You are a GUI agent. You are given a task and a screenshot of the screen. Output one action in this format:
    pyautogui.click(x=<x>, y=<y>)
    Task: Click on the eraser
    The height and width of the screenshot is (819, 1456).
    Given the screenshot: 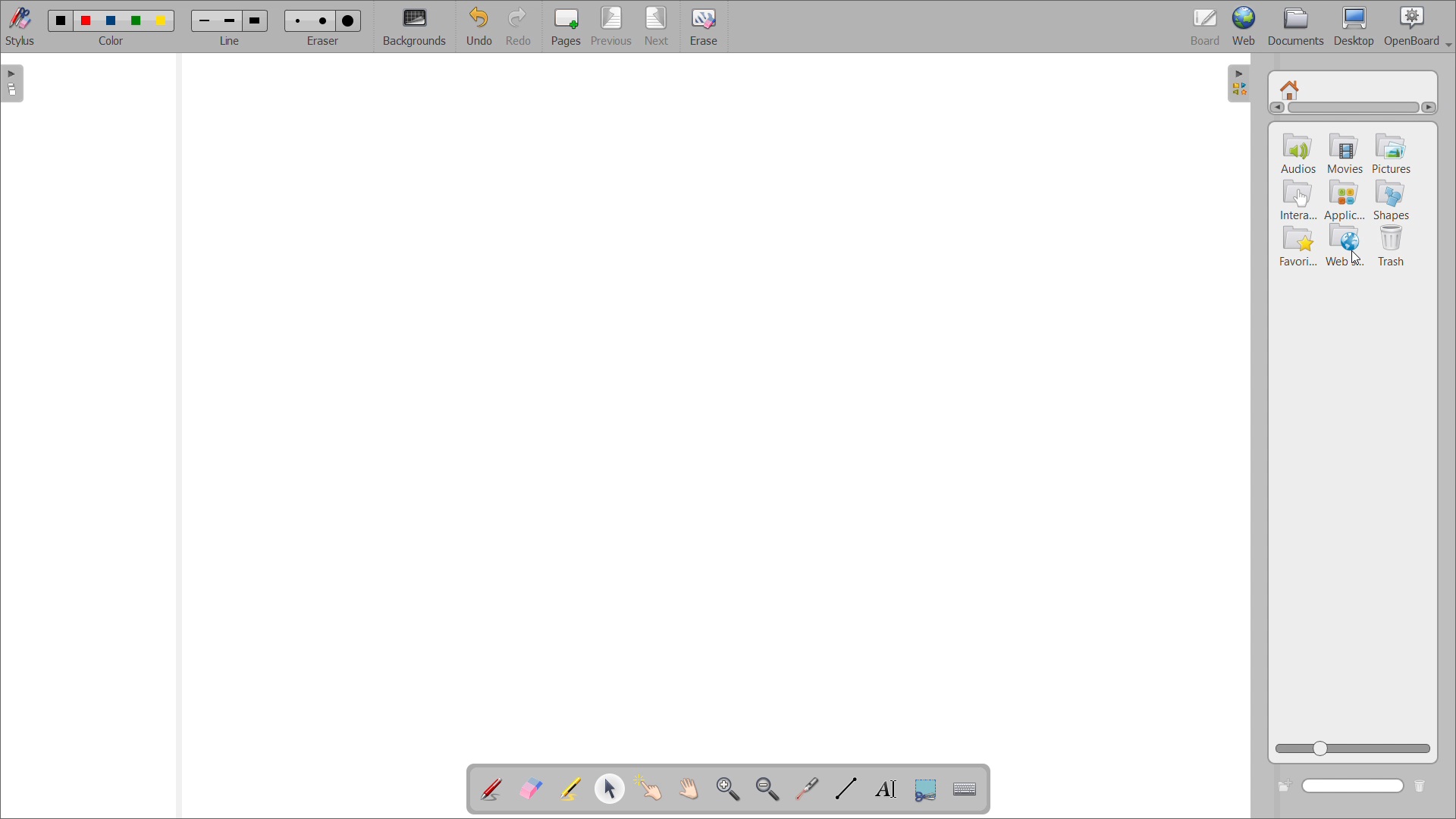 What is the action you would take?
    pyautogui.click(x=325, y=39)
    